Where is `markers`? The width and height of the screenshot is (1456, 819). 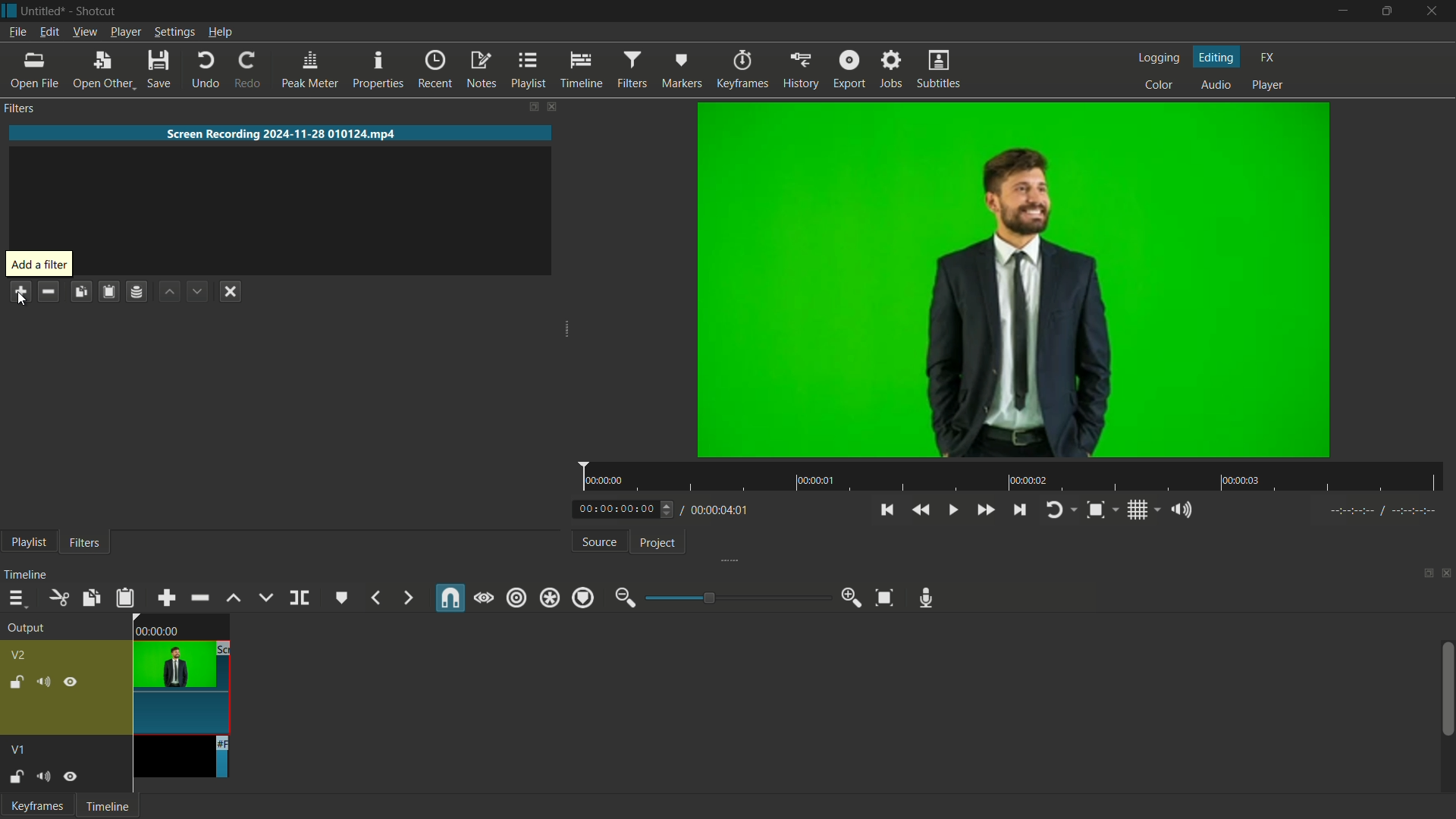 markers is located at coordinates (680, 70).